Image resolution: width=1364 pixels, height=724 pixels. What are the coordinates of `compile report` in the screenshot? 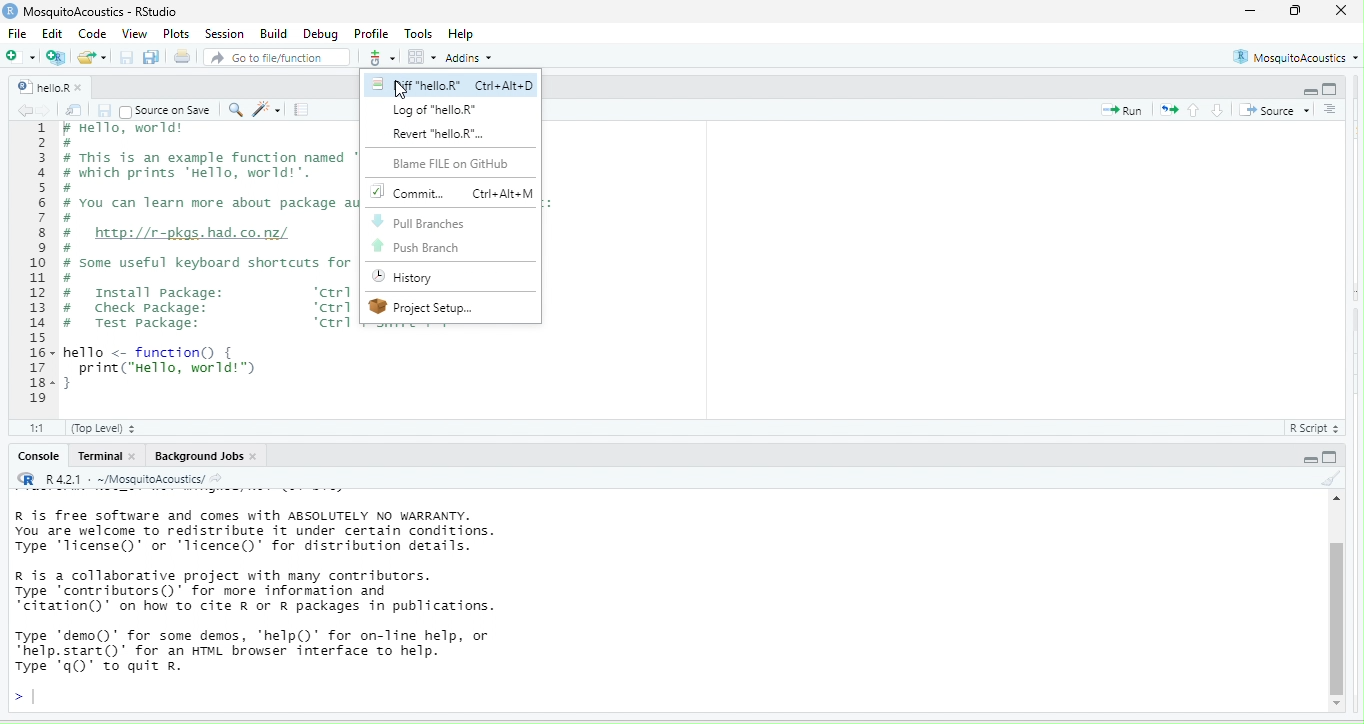 It's located at (302, 110).